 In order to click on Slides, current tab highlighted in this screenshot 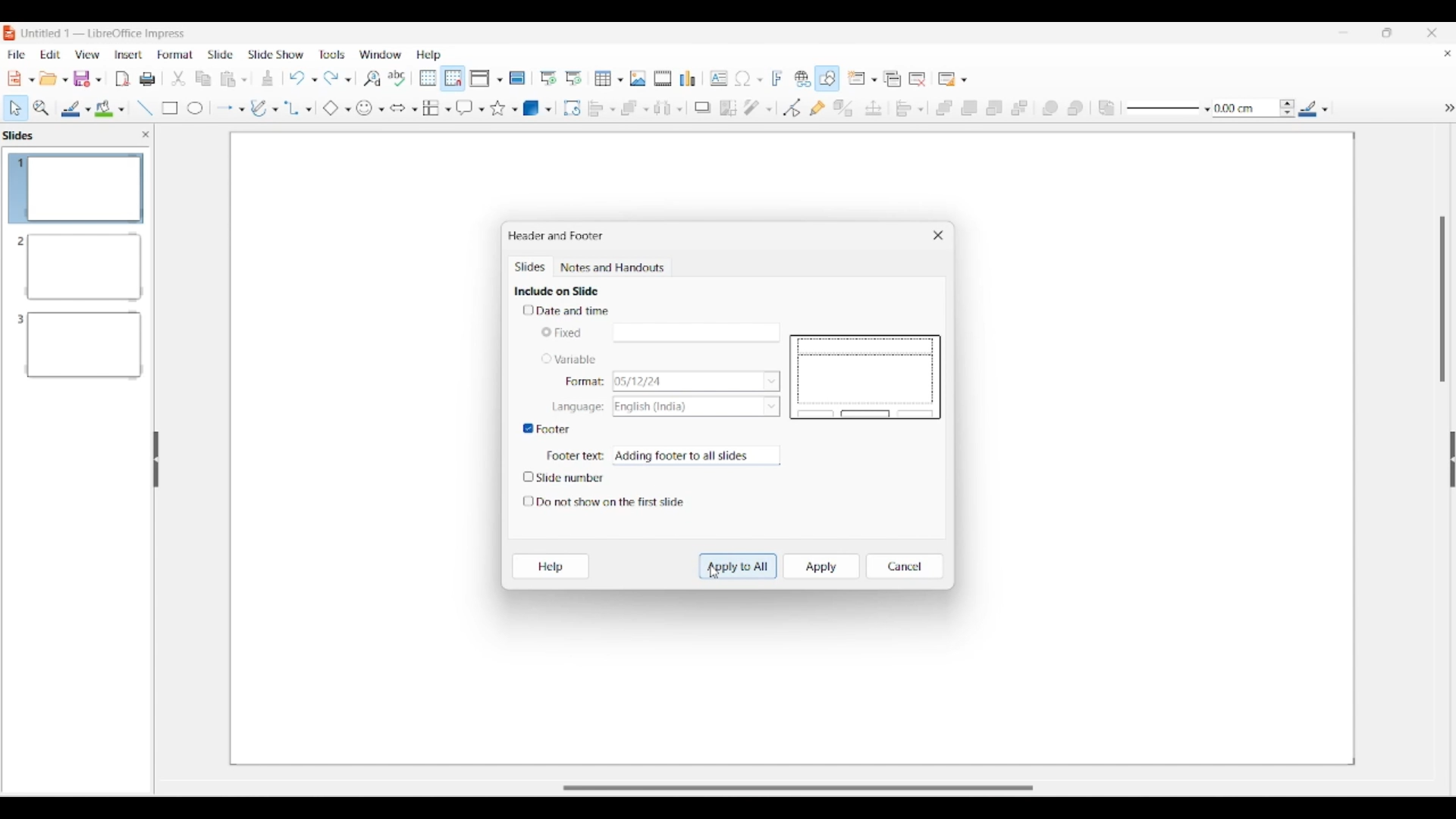, I will do `click(532, 268)`.